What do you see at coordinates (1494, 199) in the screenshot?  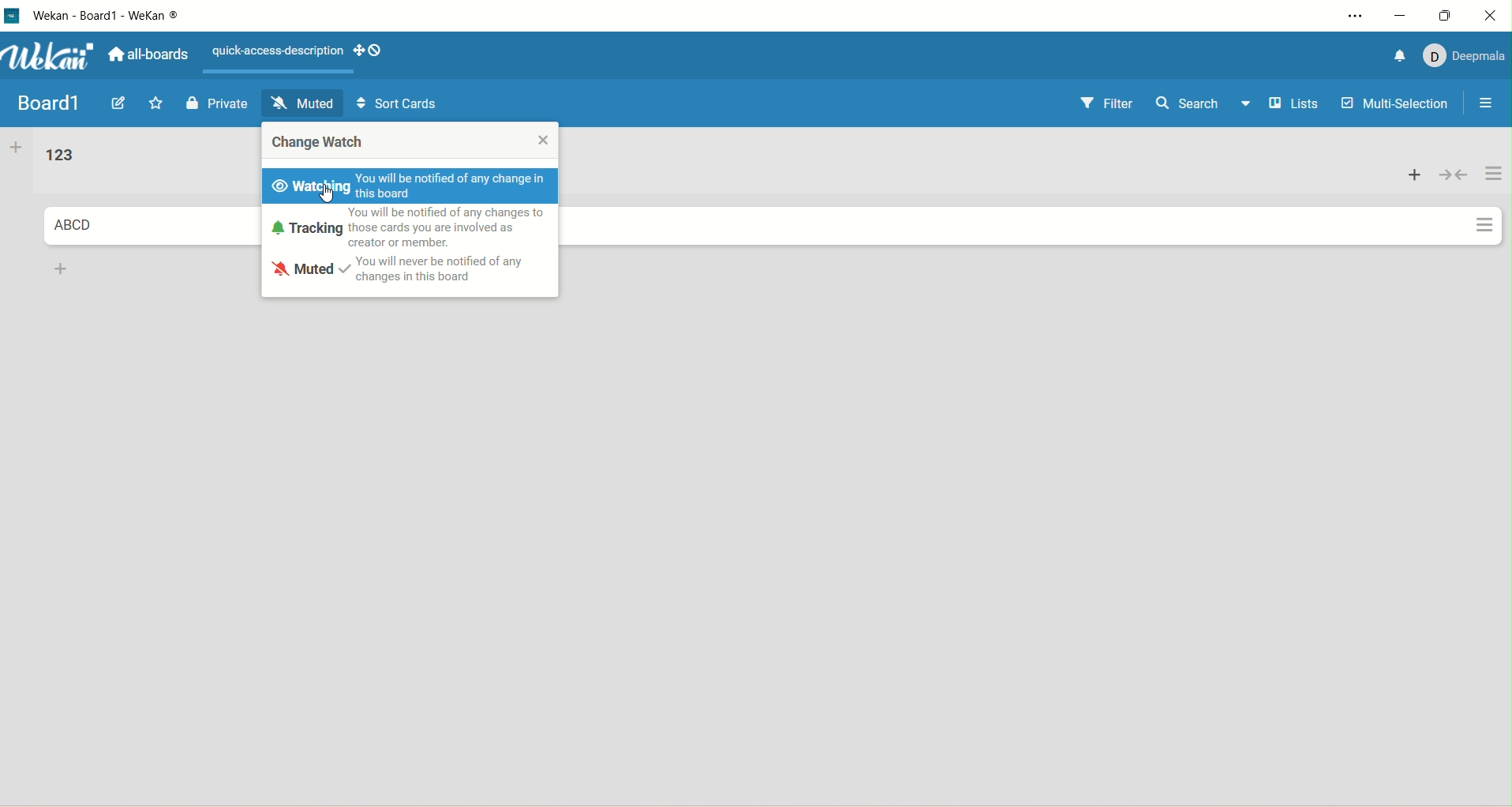 I see `options` at bounding box center [1494, 199].